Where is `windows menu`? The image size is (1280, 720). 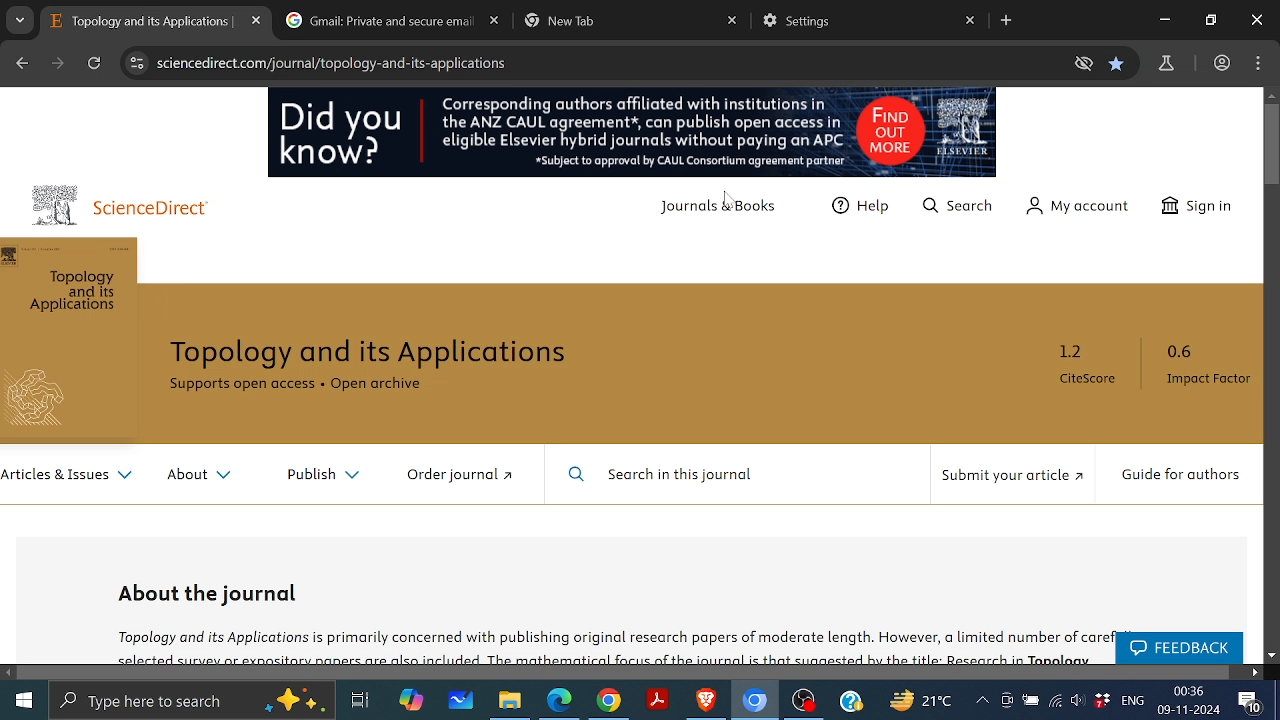 windows menu is located at coordinates (18, 701).